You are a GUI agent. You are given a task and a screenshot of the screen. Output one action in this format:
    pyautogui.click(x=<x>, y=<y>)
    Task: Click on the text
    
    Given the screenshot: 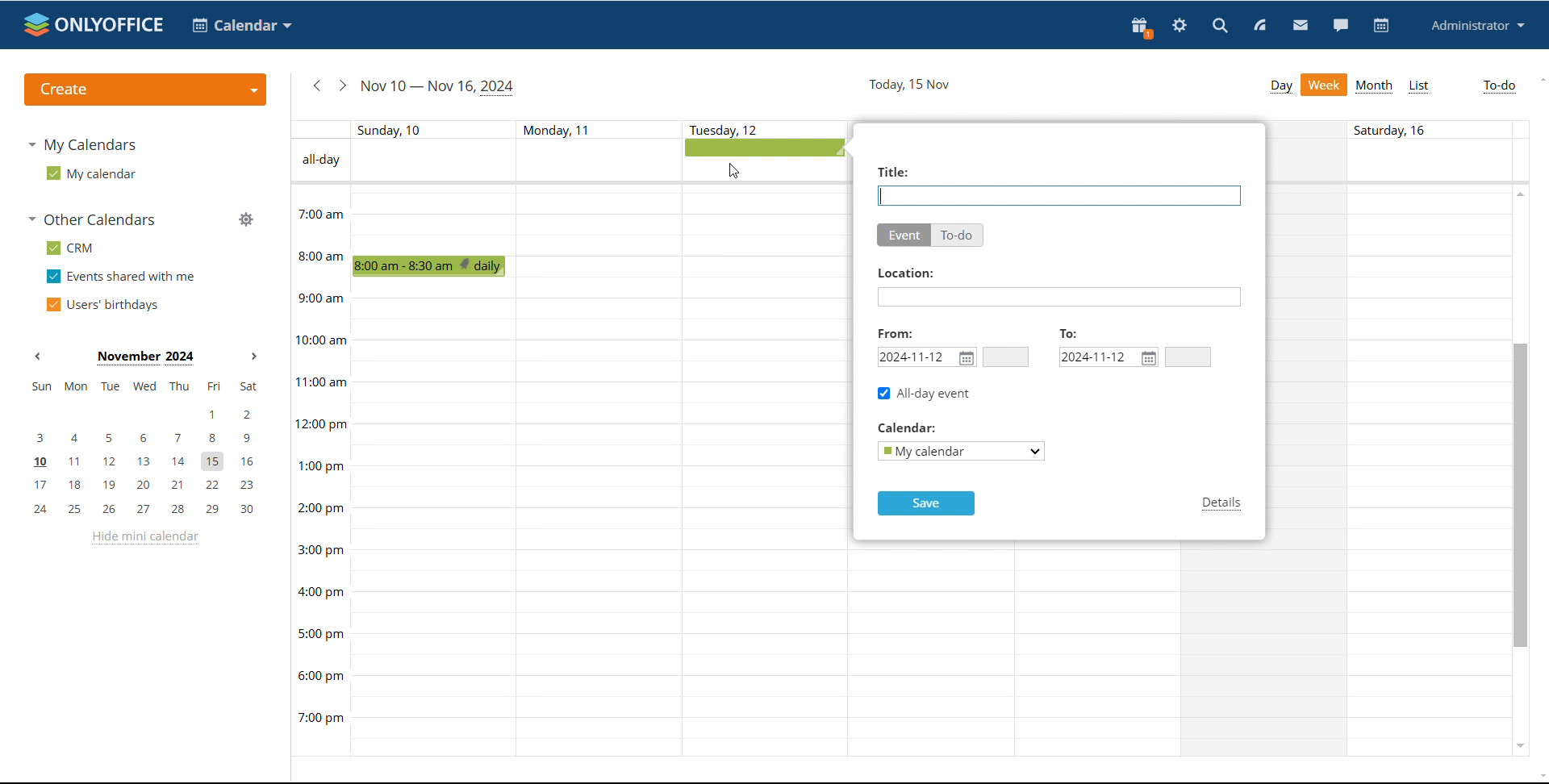 What is the action you would take?
    pyautogui.click(x=726, y=127)
    